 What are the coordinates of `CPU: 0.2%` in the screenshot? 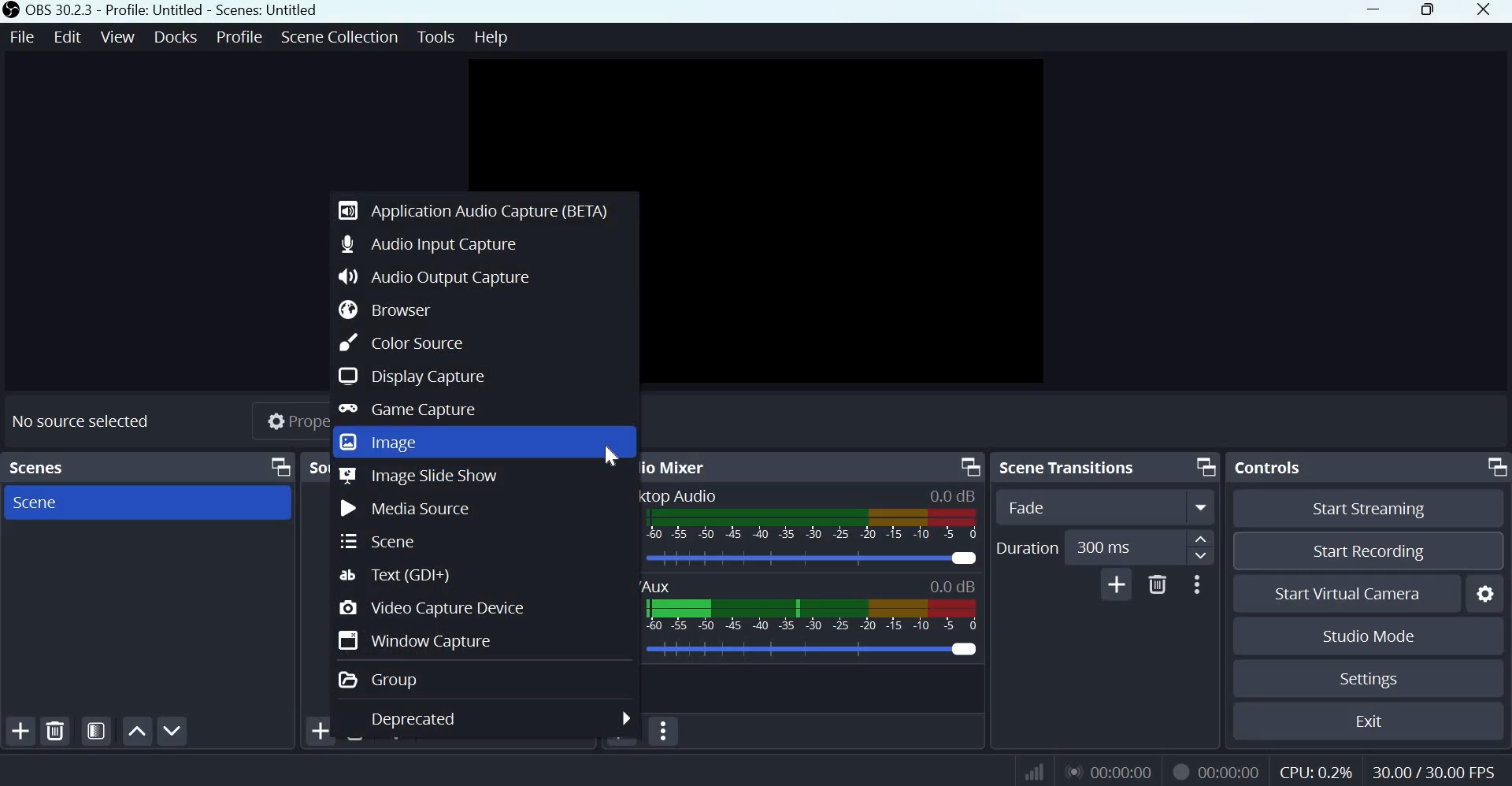 It's located at (1314, 769).